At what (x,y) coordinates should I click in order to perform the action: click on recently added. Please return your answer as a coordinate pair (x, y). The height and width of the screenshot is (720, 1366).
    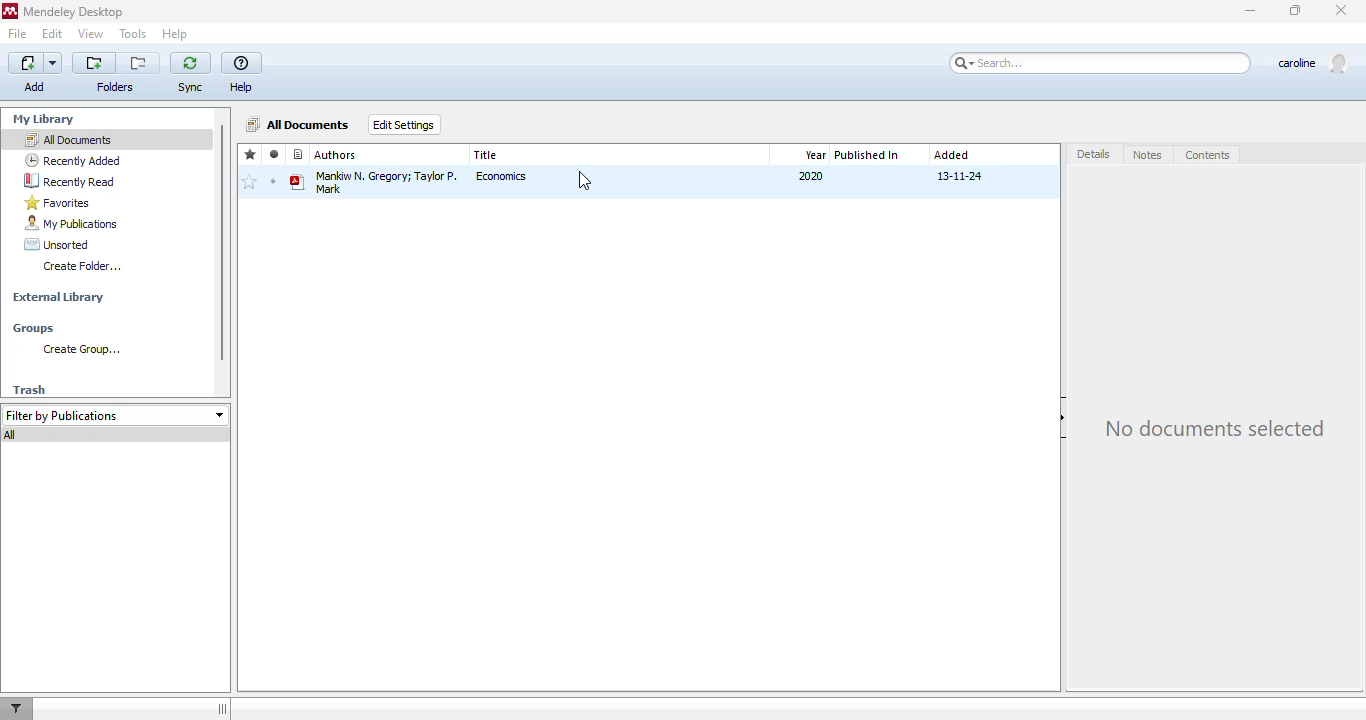
    Looking at the image, I should click on (73, 160).